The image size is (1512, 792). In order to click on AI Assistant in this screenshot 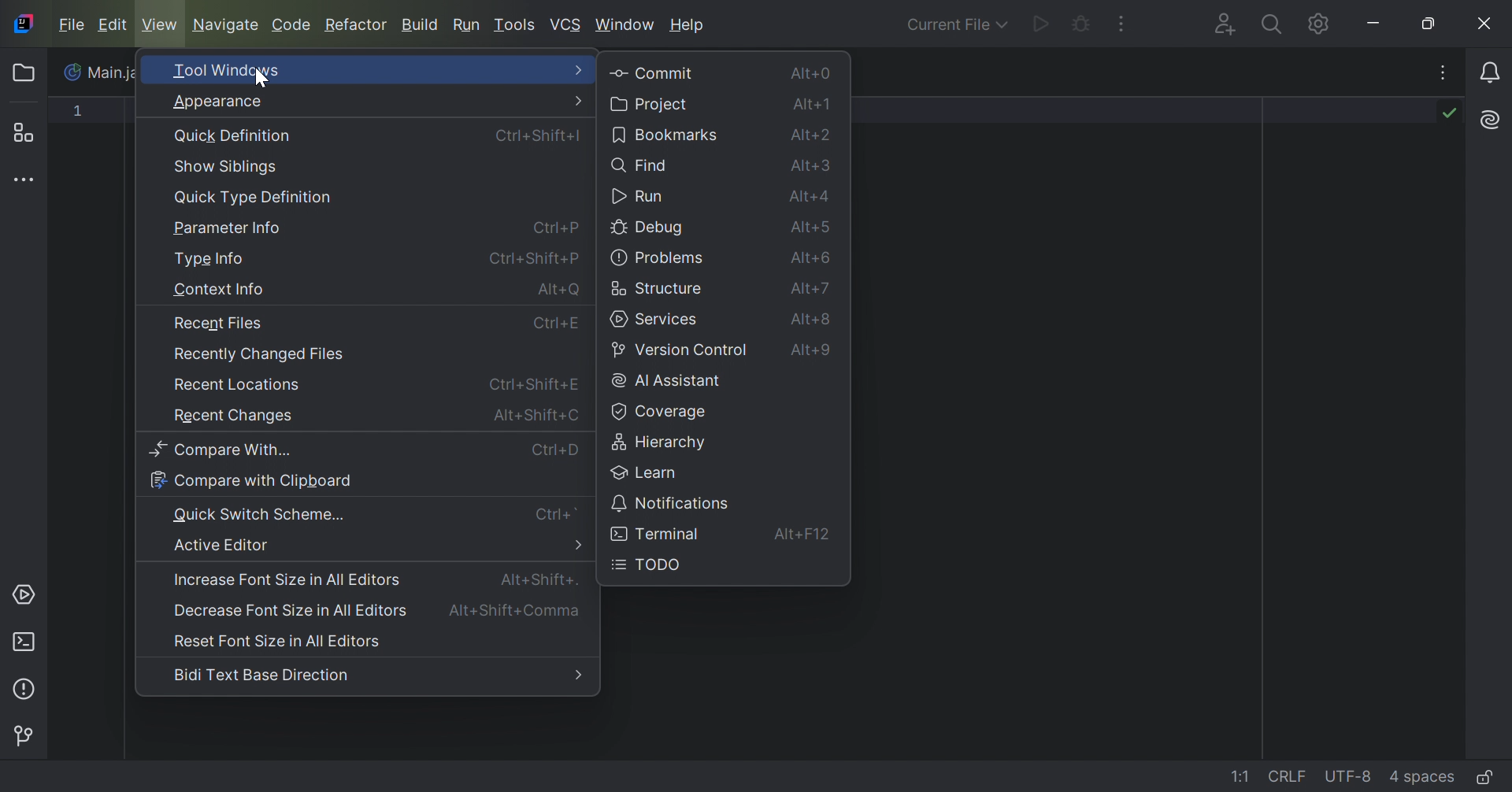, I will do `click(1488, 120)`.